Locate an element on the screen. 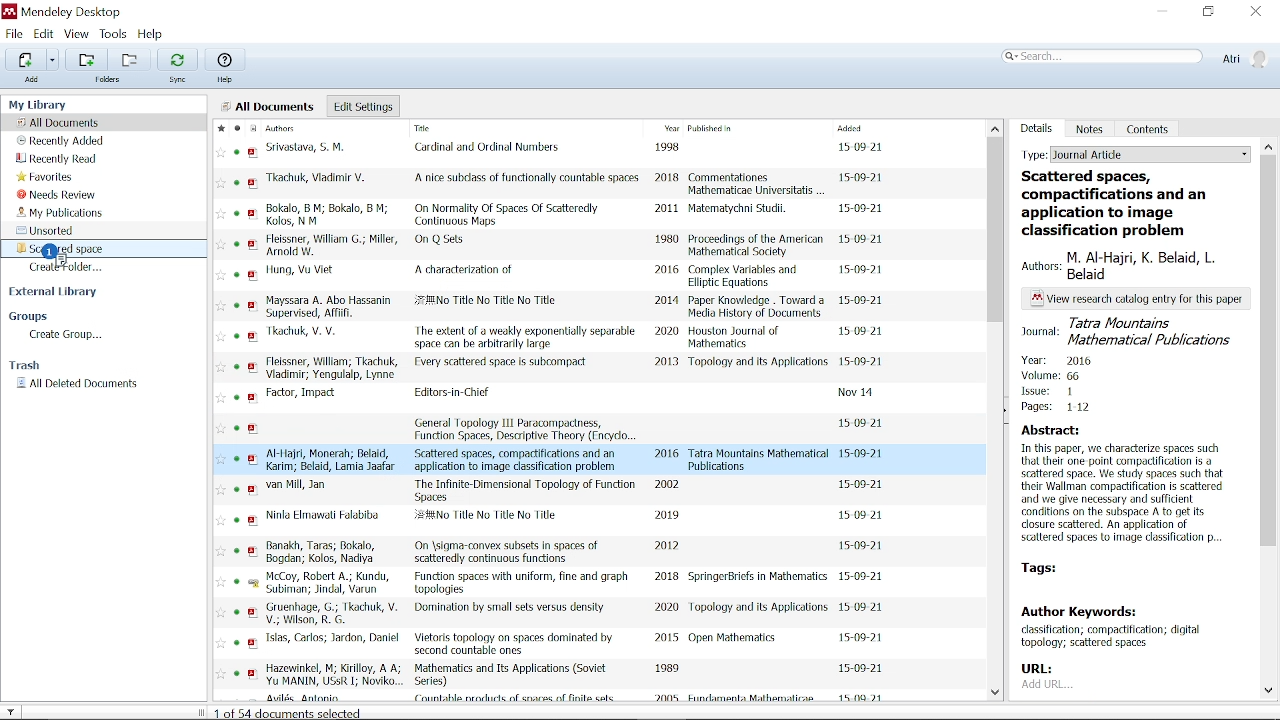  Published in is located at coordinates (747, 130).